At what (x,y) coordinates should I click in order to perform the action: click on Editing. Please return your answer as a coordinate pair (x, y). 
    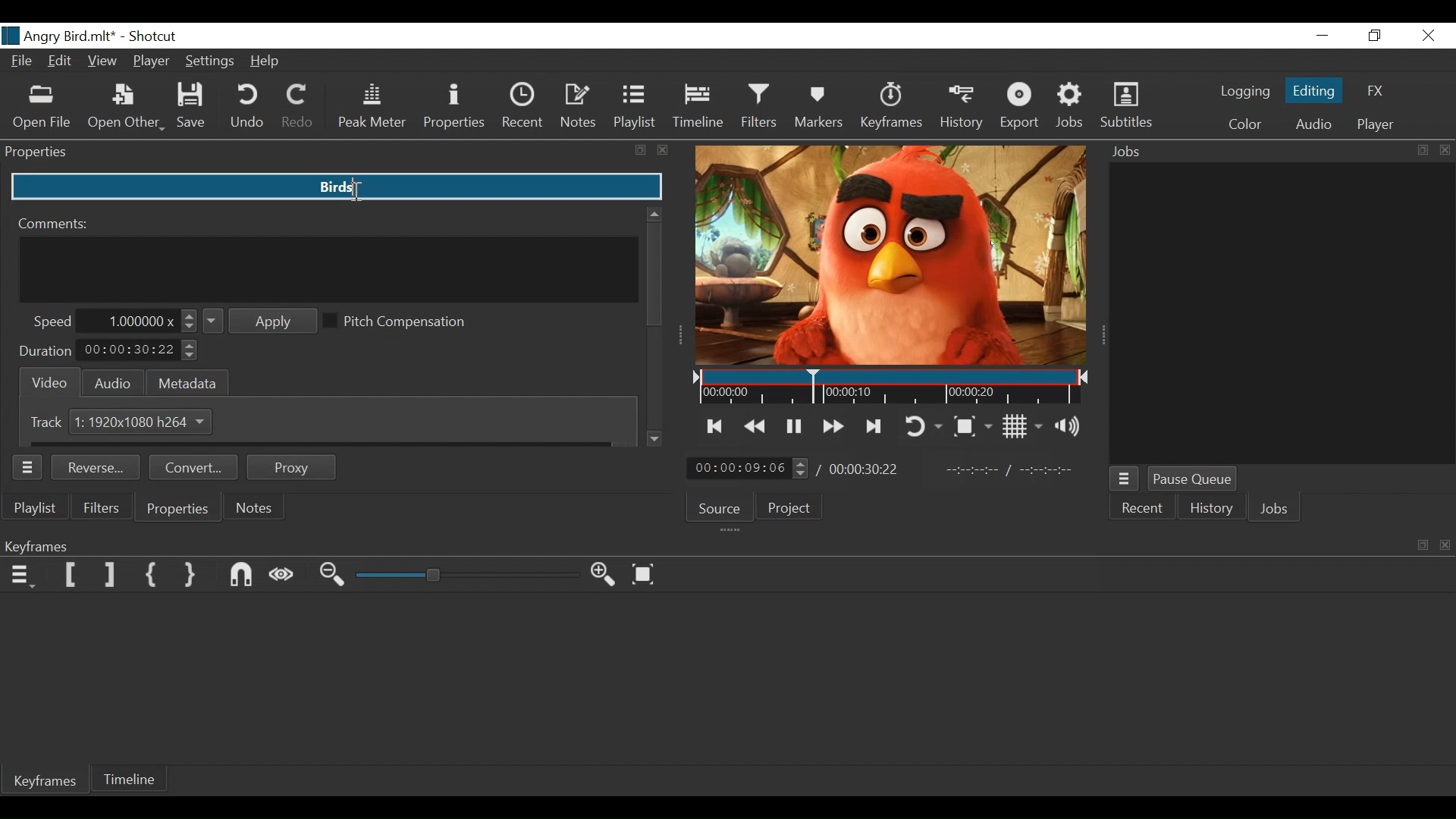
    Looking at the image, I should click on (1313, 89).